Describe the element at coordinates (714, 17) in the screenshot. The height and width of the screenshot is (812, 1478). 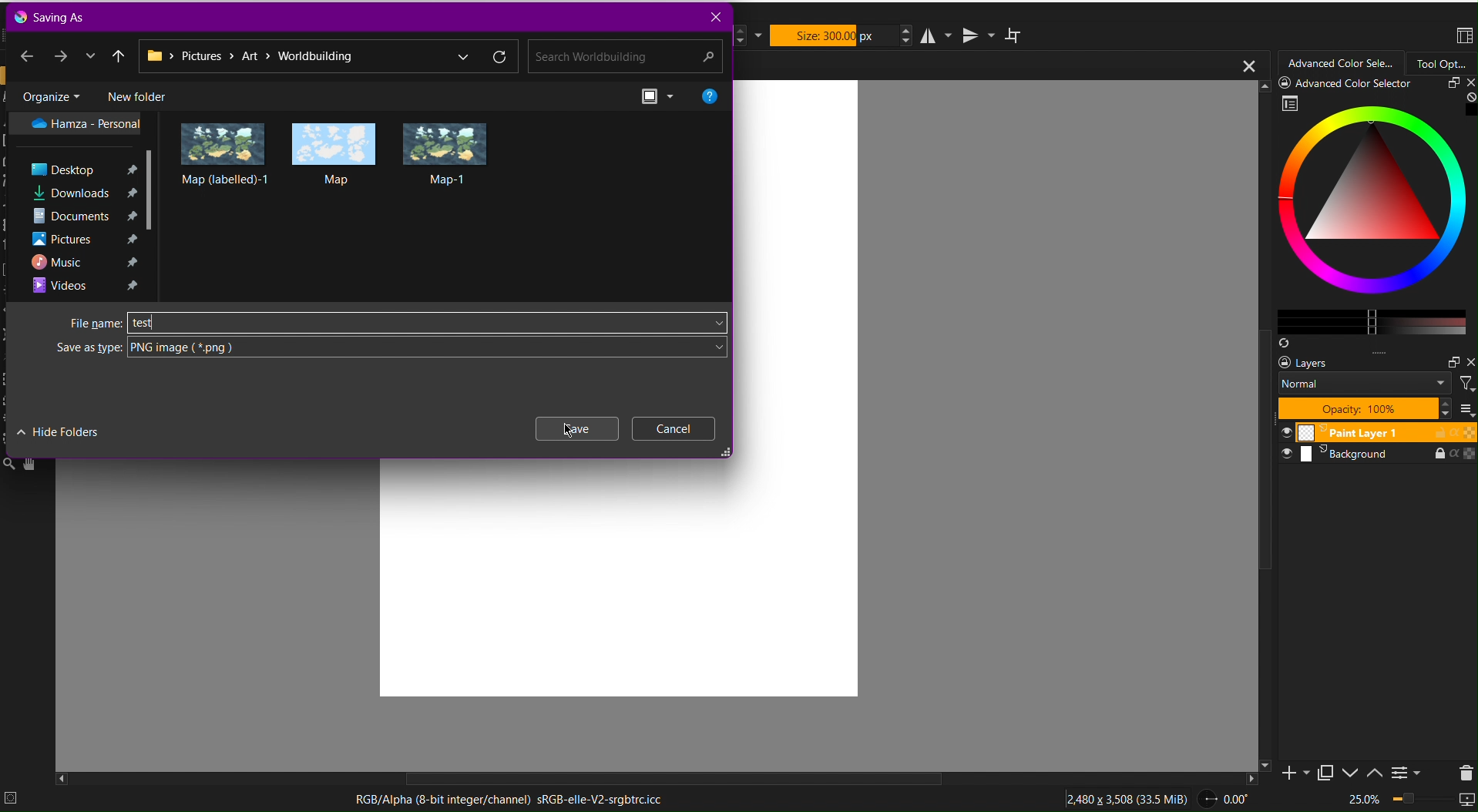
I see `Close` at that location.